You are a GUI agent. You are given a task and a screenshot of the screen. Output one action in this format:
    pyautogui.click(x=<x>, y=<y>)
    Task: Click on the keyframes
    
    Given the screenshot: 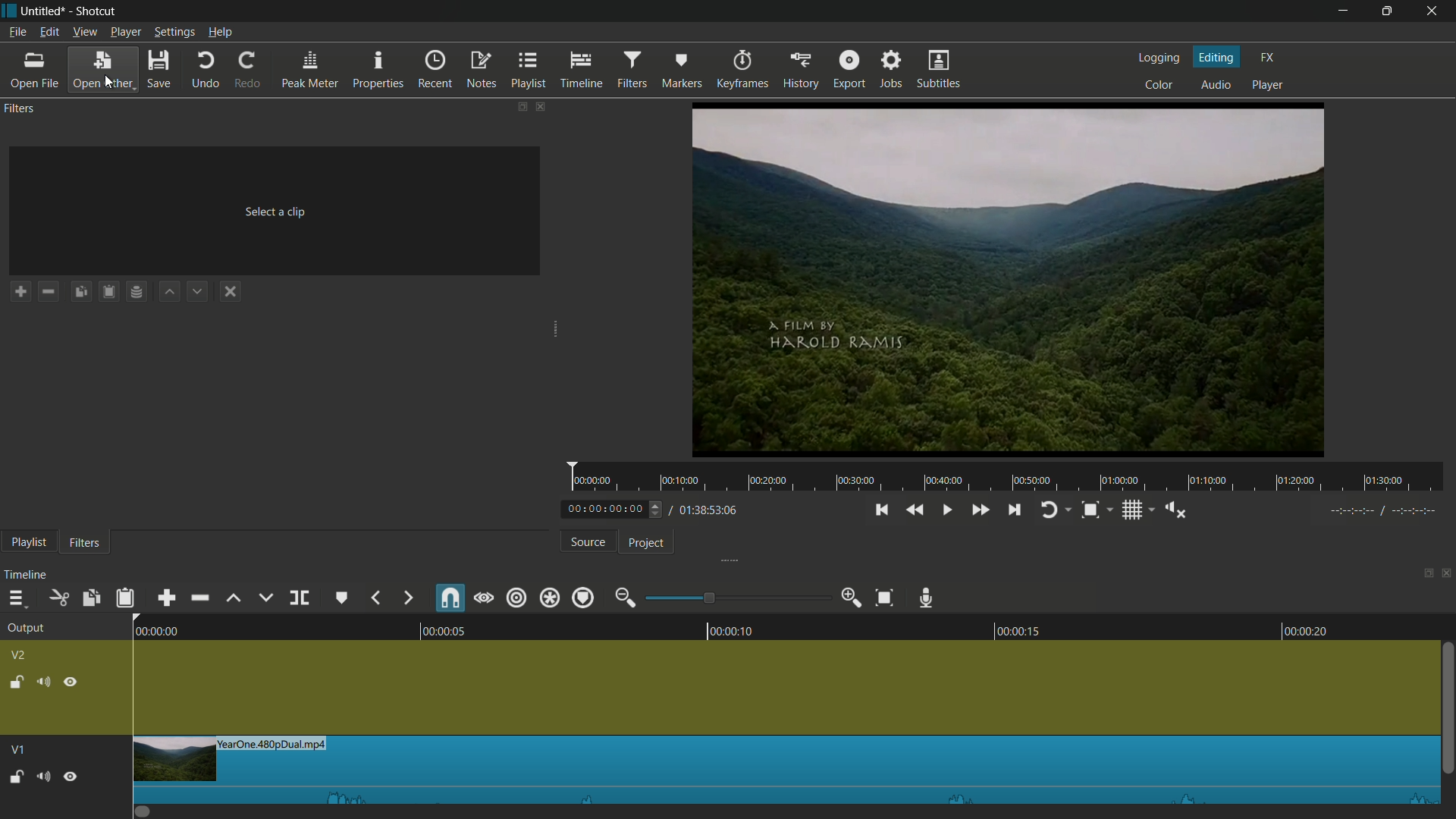 What is the action you would take?
    pyautogui.click(x=740, y=70)
    